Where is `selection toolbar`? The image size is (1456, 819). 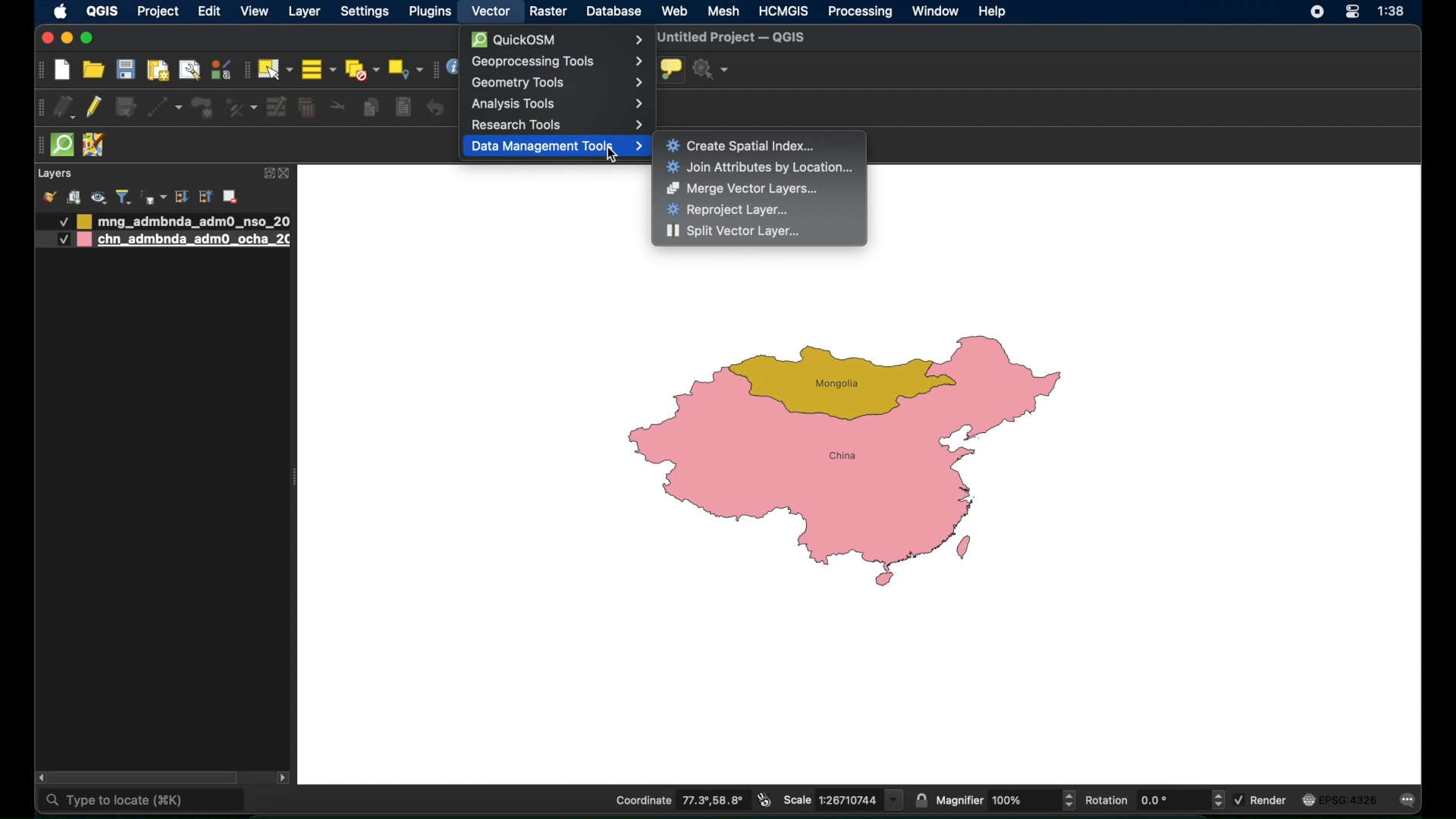
selection toolbar is located at coordinates (243, 70).